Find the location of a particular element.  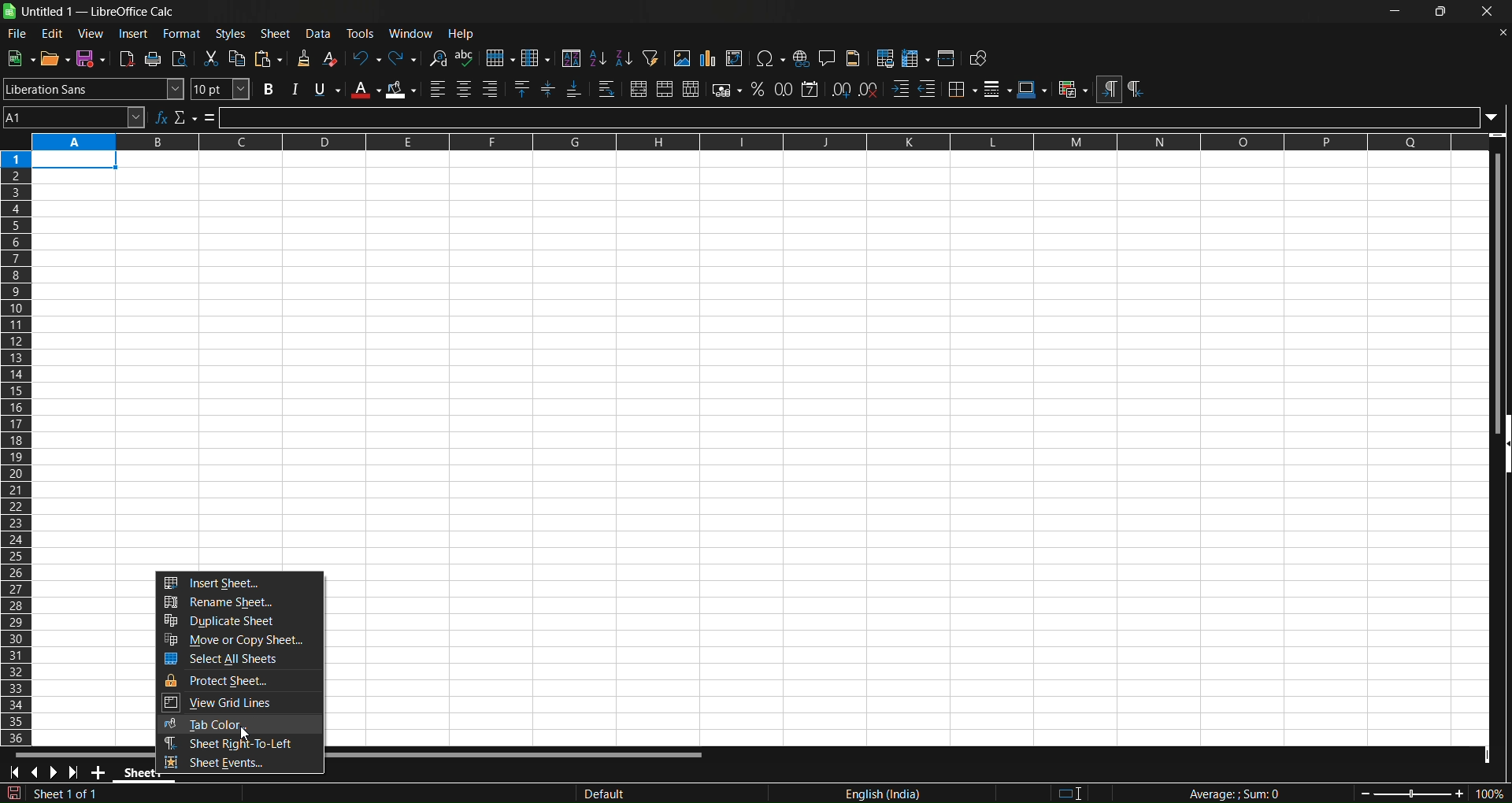

horizontal scroll bar is located at coordinates (360, 753).